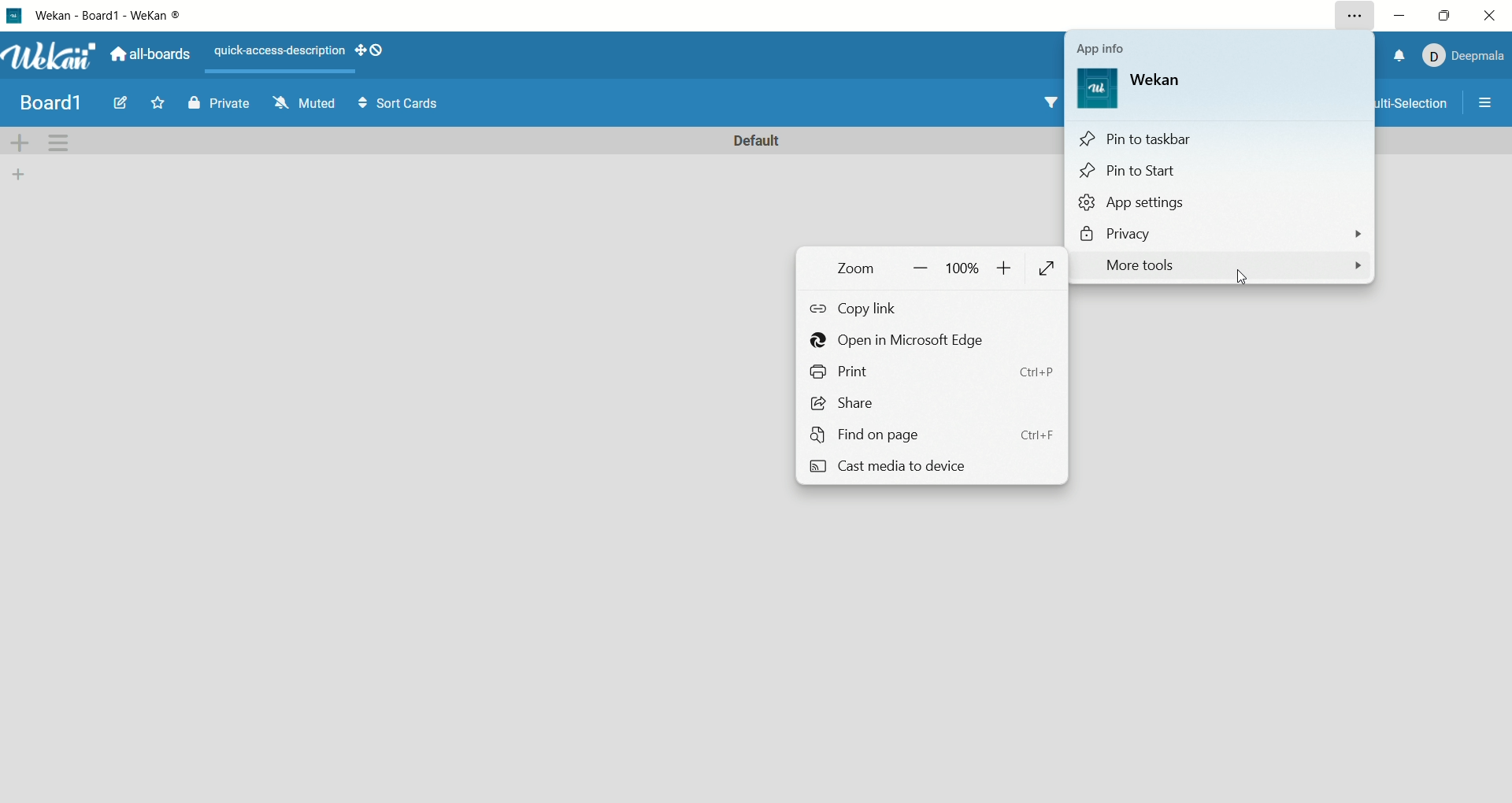  Describe the element at coordinates (401, 102) in the screenshot. I see `sort cards` at that location.